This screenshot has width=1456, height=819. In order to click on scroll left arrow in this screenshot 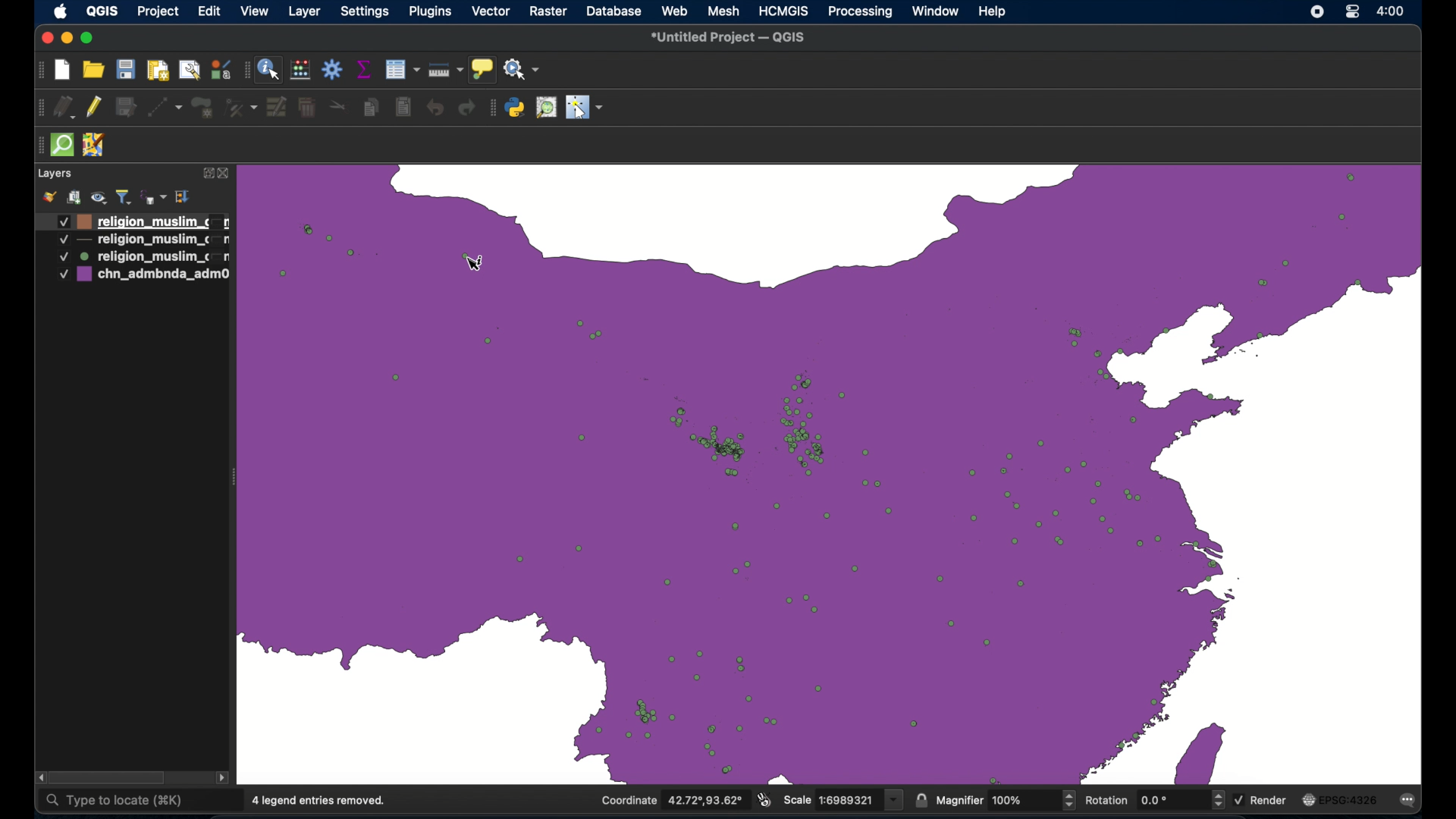, I will do `click(37, 777)`.